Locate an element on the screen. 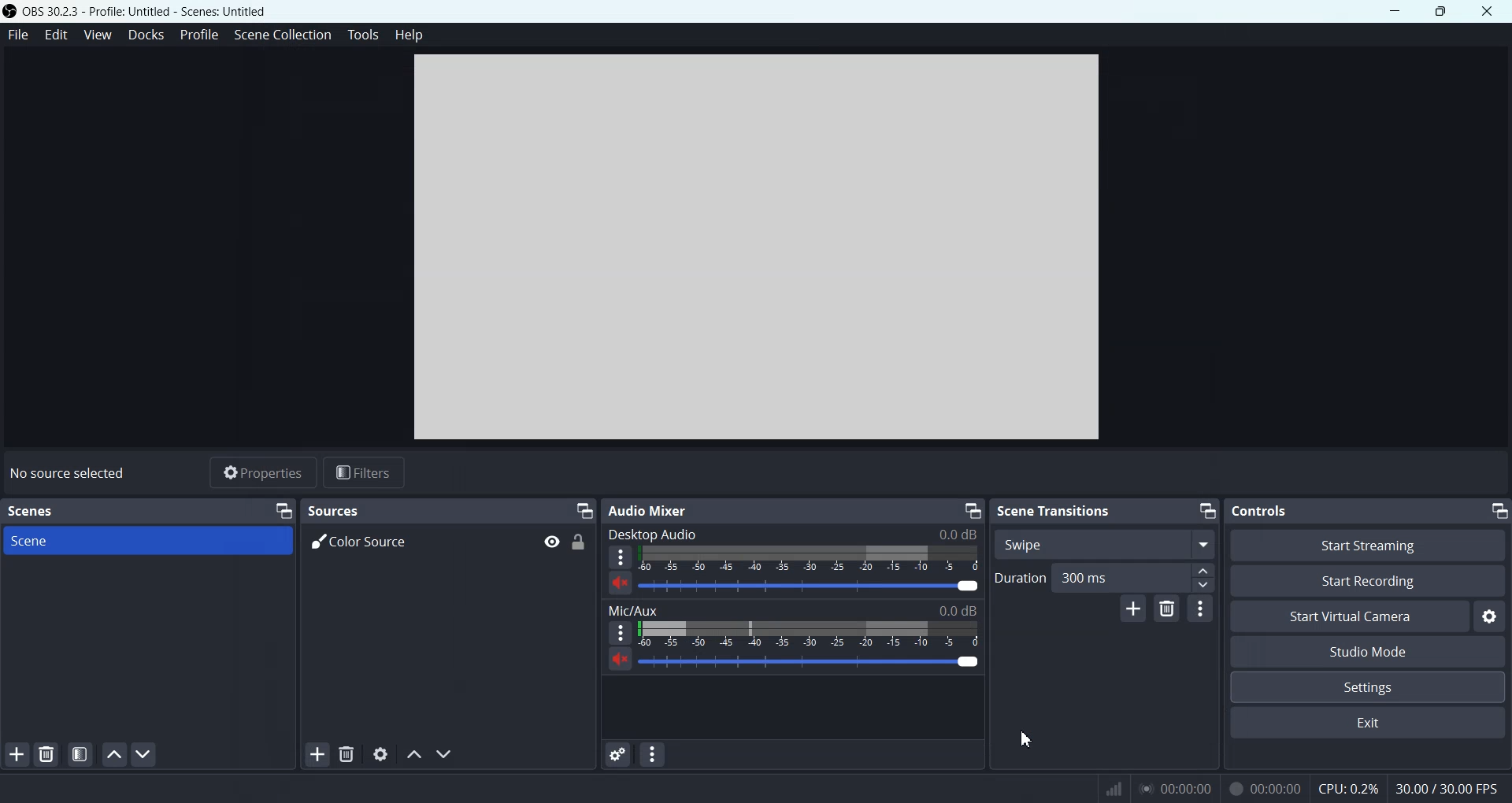  View is located at coordinates (97, 34).